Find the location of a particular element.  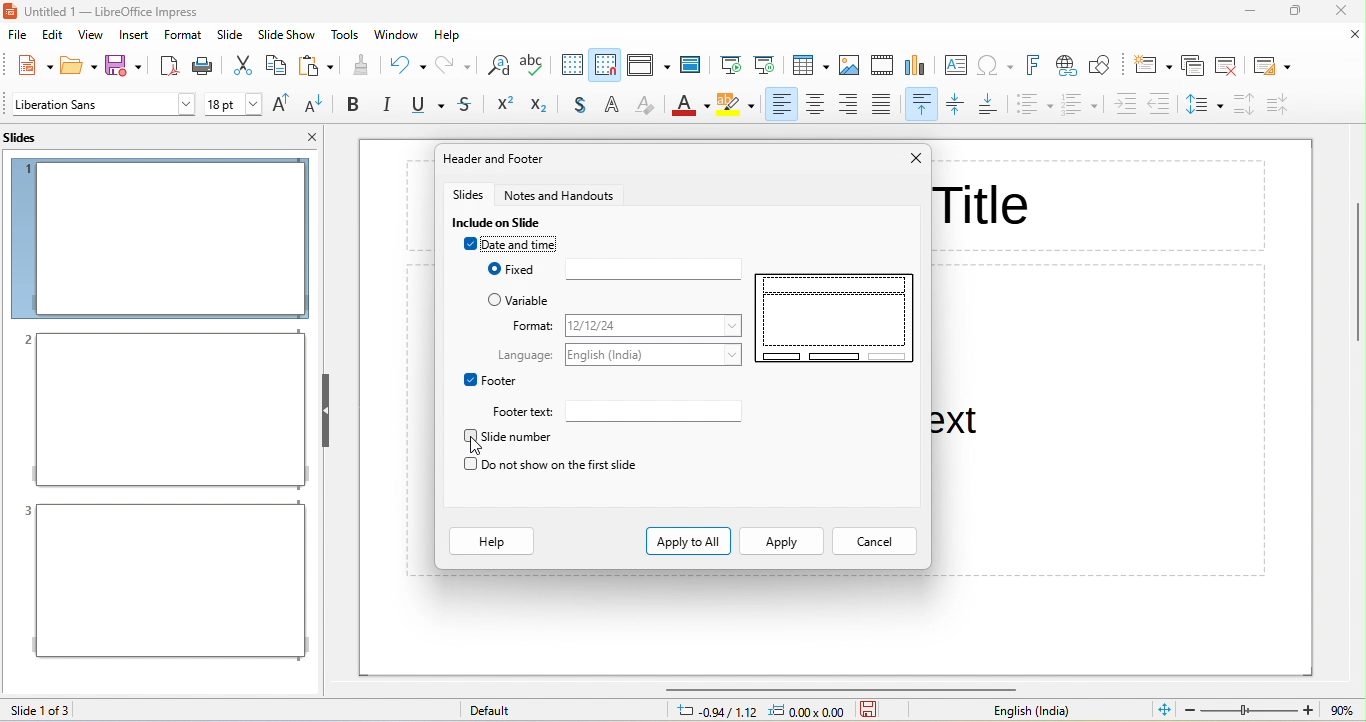

fit slide to current window is located at coordinates (1165, 709).